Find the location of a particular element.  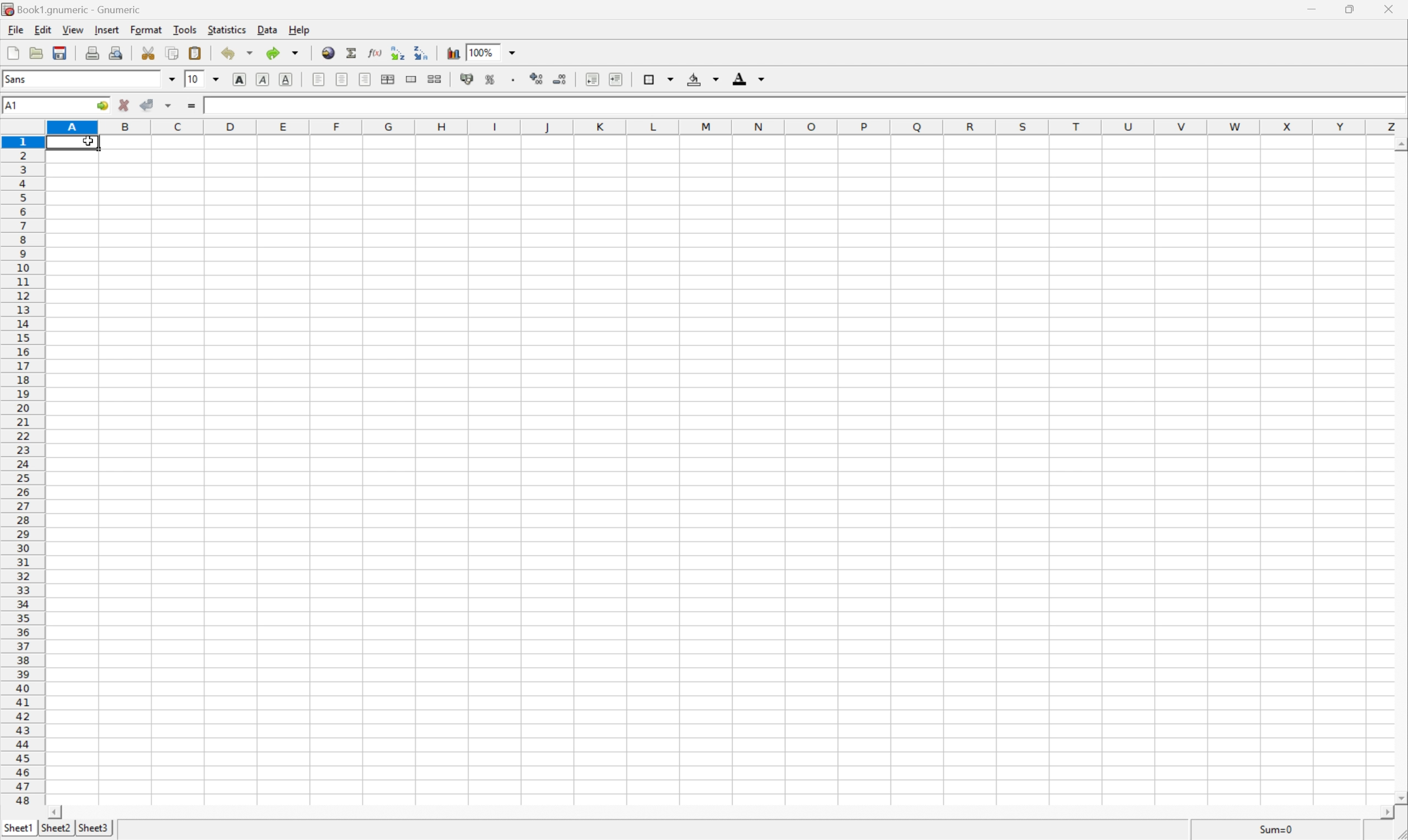

sheet3 is located at coordinates (93, 830).